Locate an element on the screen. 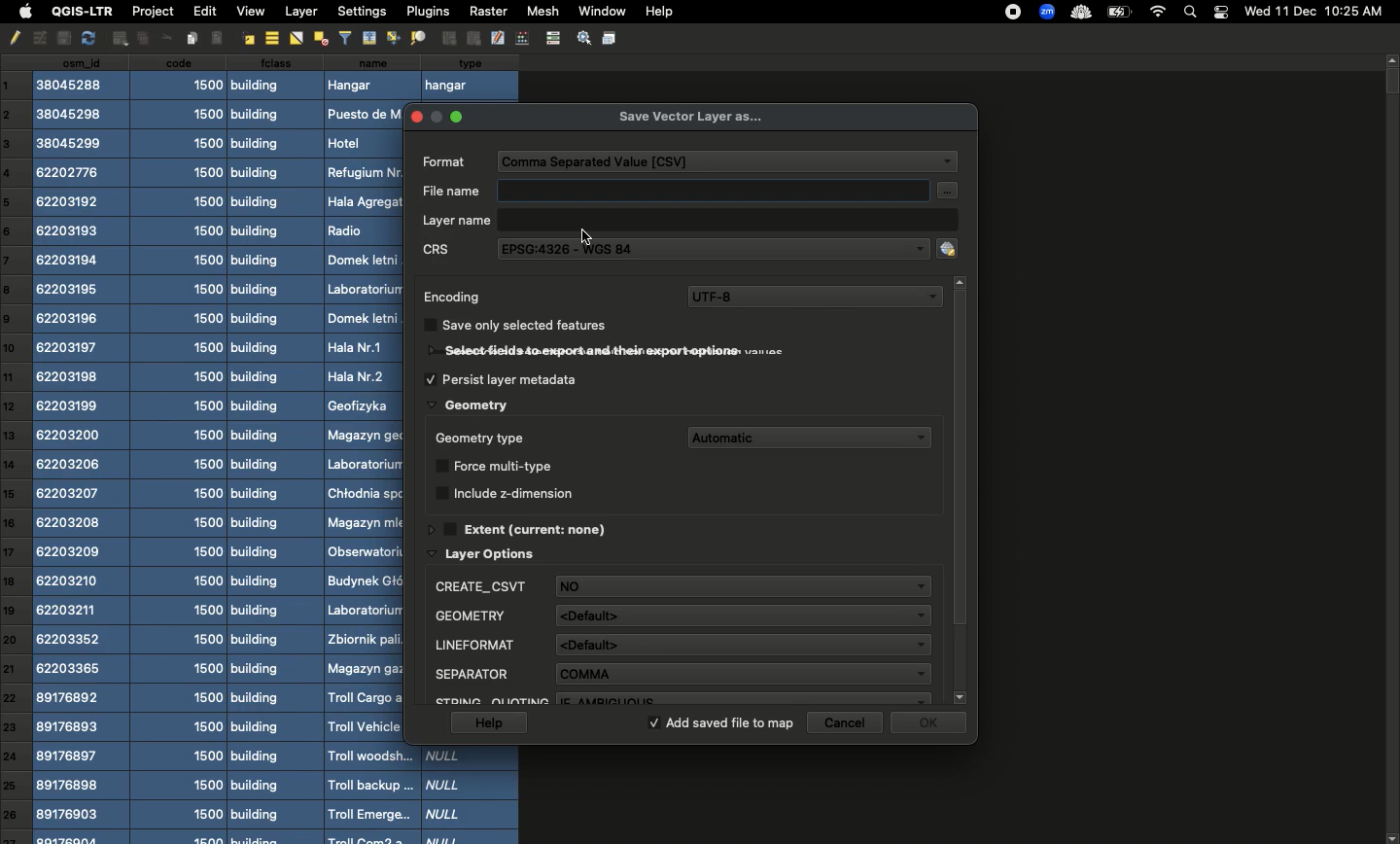 Image resolution: width=1400 pixels, height=844 pixels. Align Bottom is located at coordinates (394, 38).